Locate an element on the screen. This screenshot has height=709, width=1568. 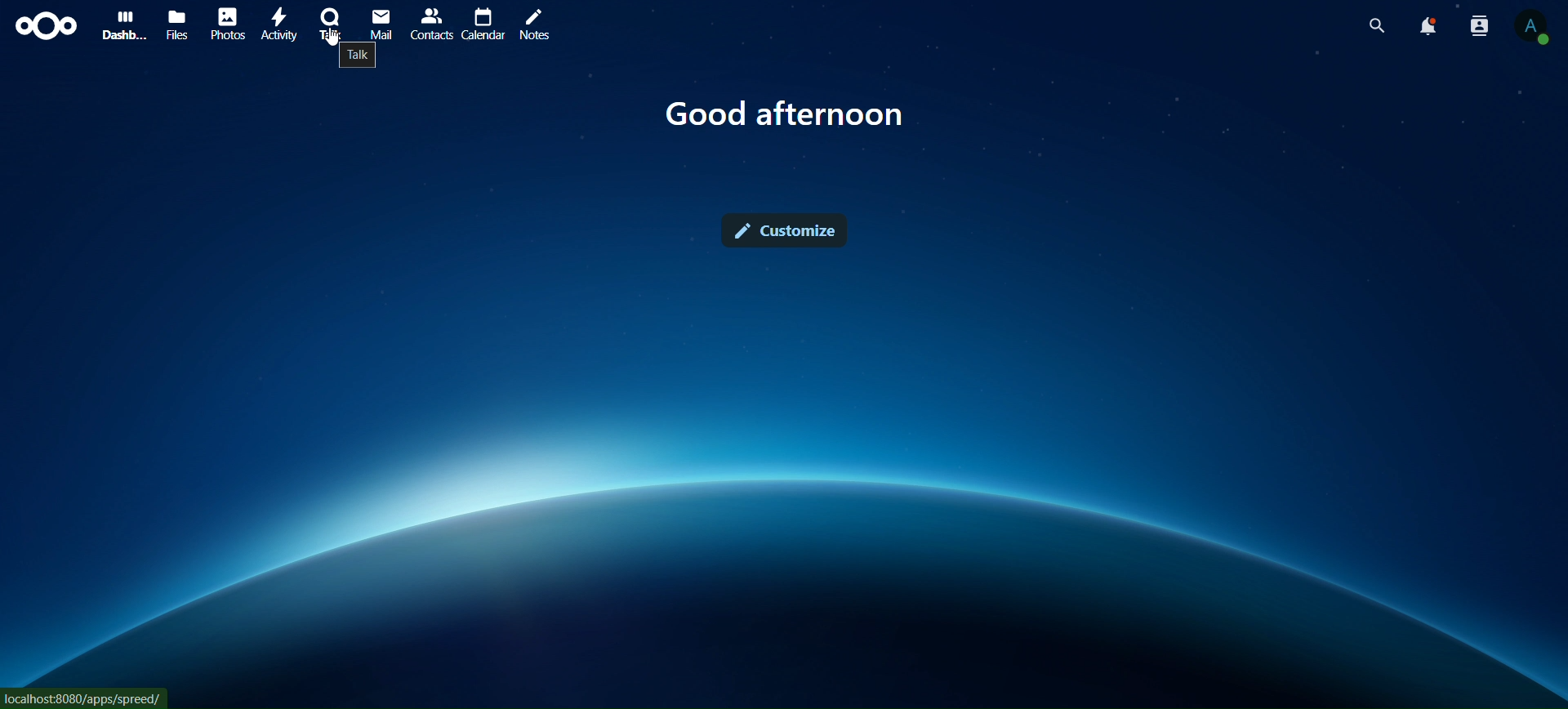
photos is located at coordinates (229, 25).